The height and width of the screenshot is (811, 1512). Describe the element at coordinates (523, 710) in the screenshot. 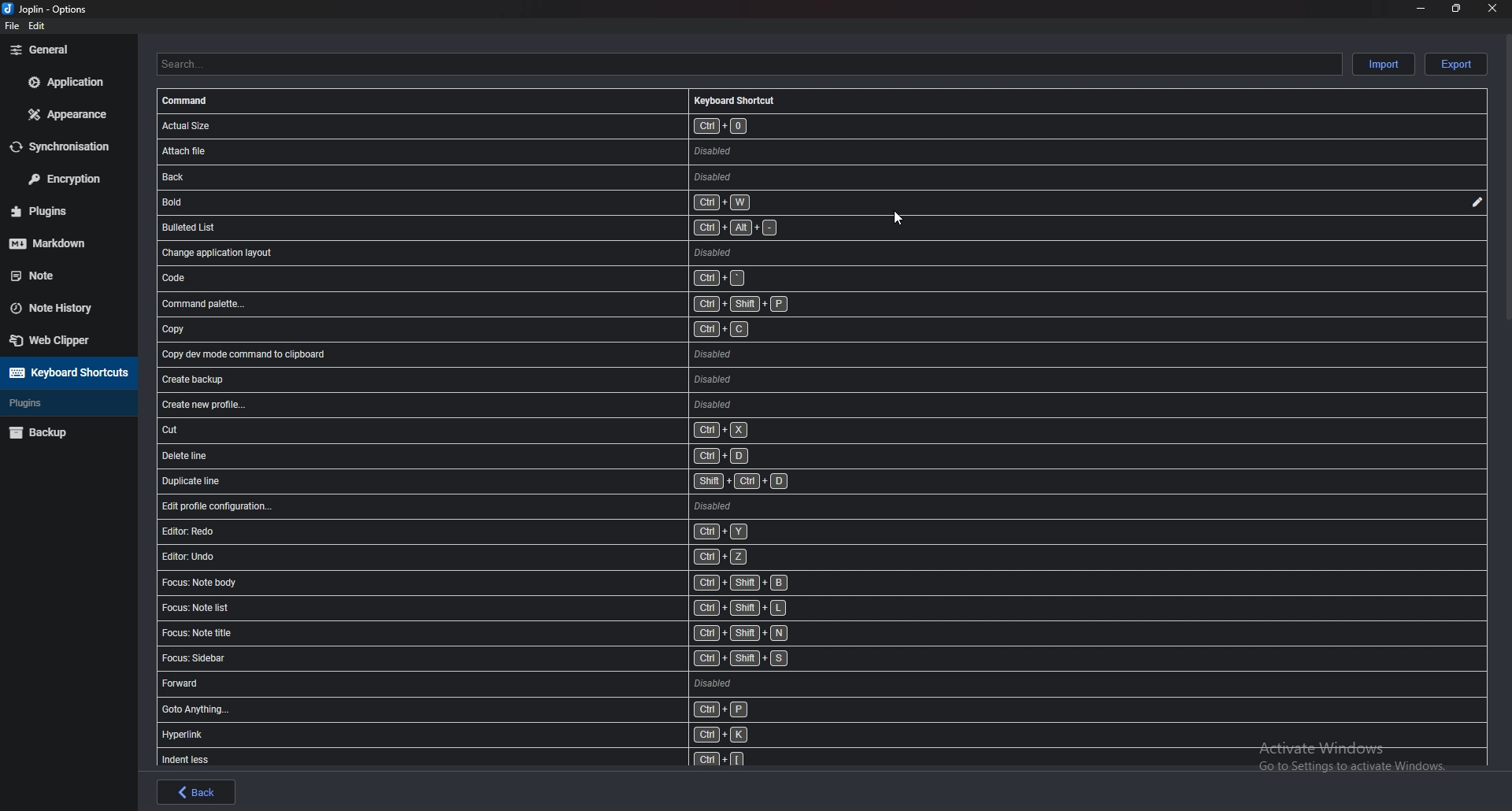

I see `shortcut` at that location.